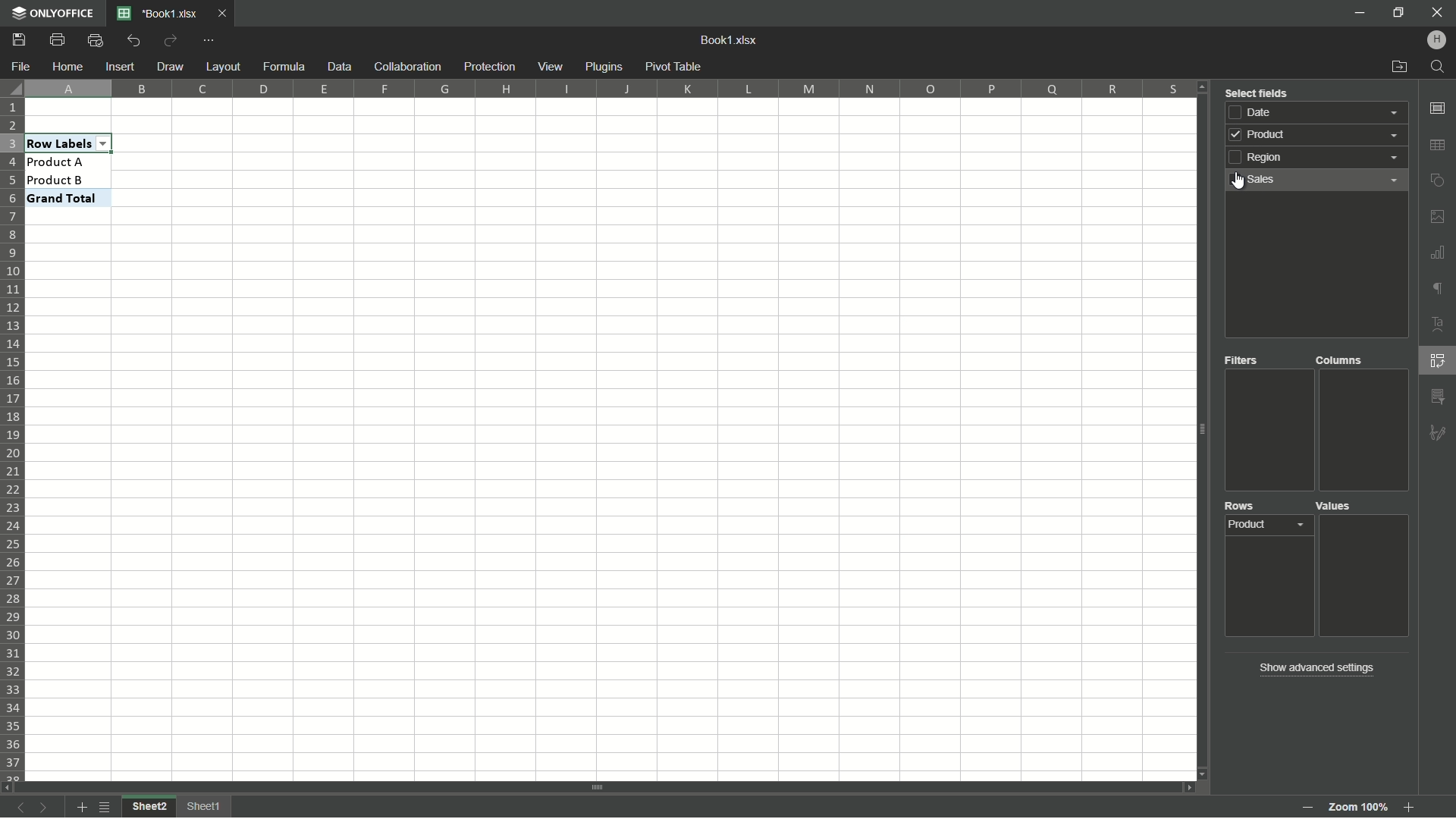 The width and height of the screenshot is (1456, 819). What do you see at coordinates (1438, 252) in the screenshot?
I see `insert chart` at bounding box center [1438, 252].